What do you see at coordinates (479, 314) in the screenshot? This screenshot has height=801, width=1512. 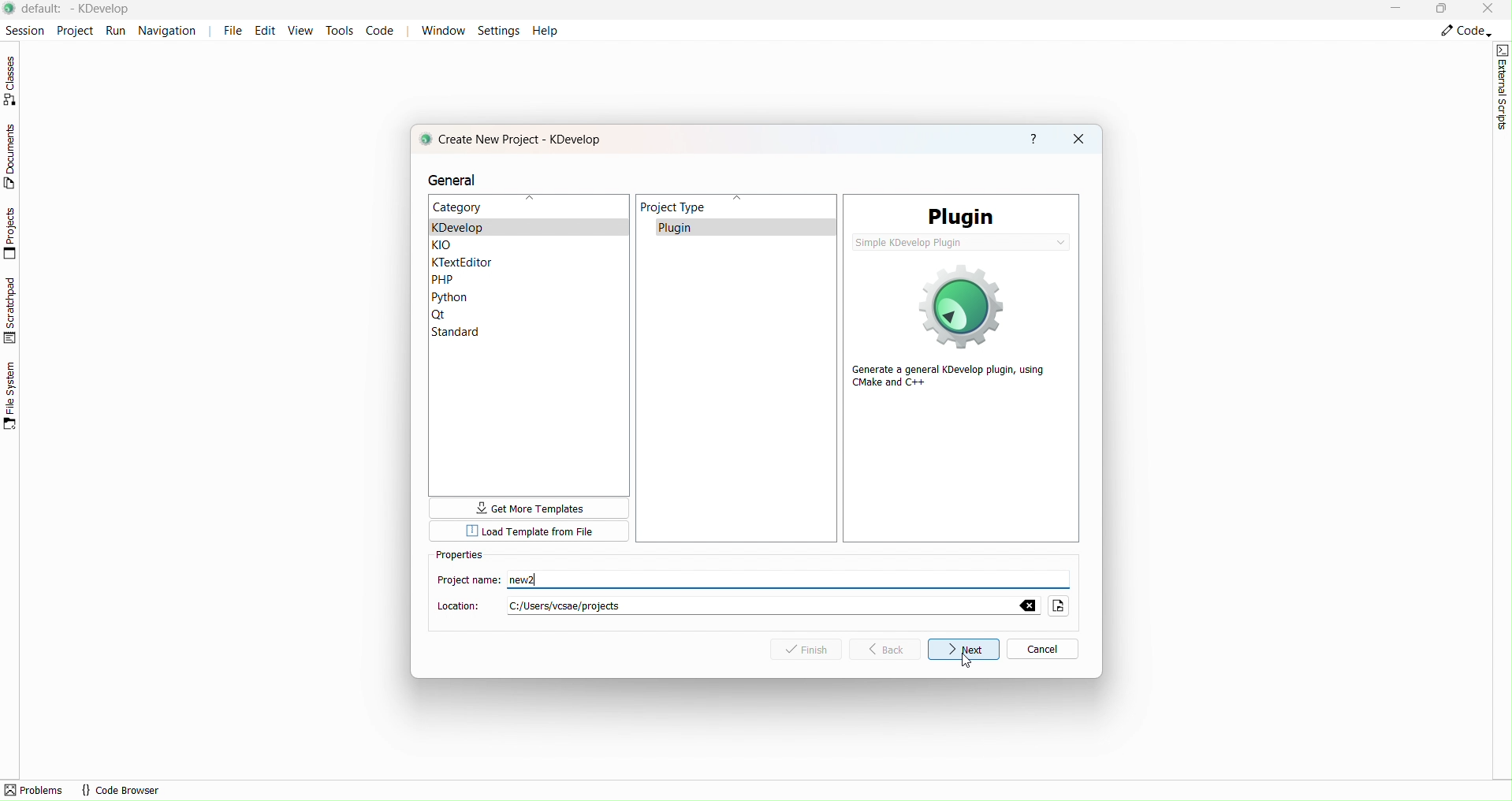 I see `Qt` at bounding box center [479, 314].